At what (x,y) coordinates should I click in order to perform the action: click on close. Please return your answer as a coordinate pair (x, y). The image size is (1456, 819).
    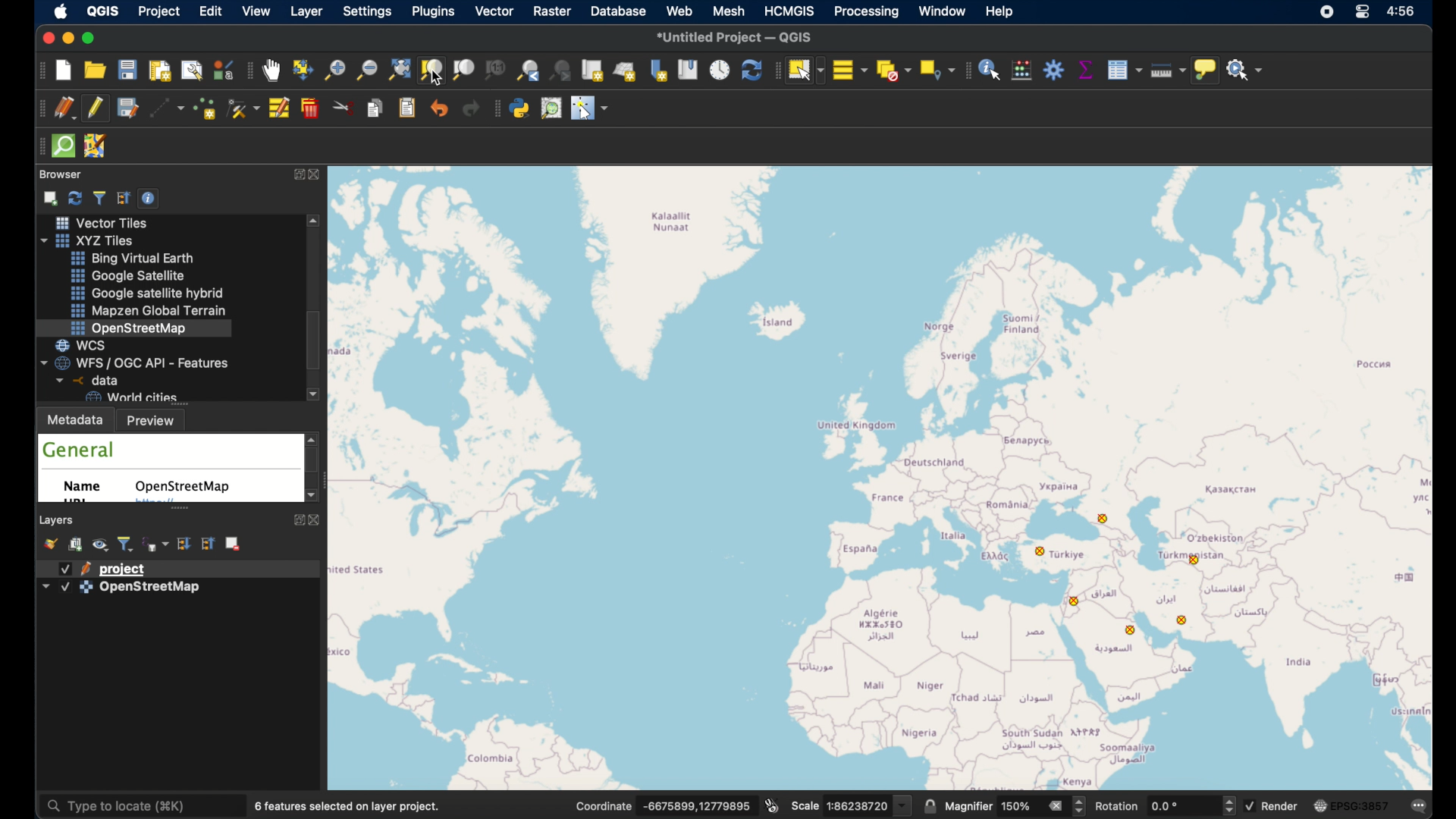
    Looking at the image, I should click on (315, 520).